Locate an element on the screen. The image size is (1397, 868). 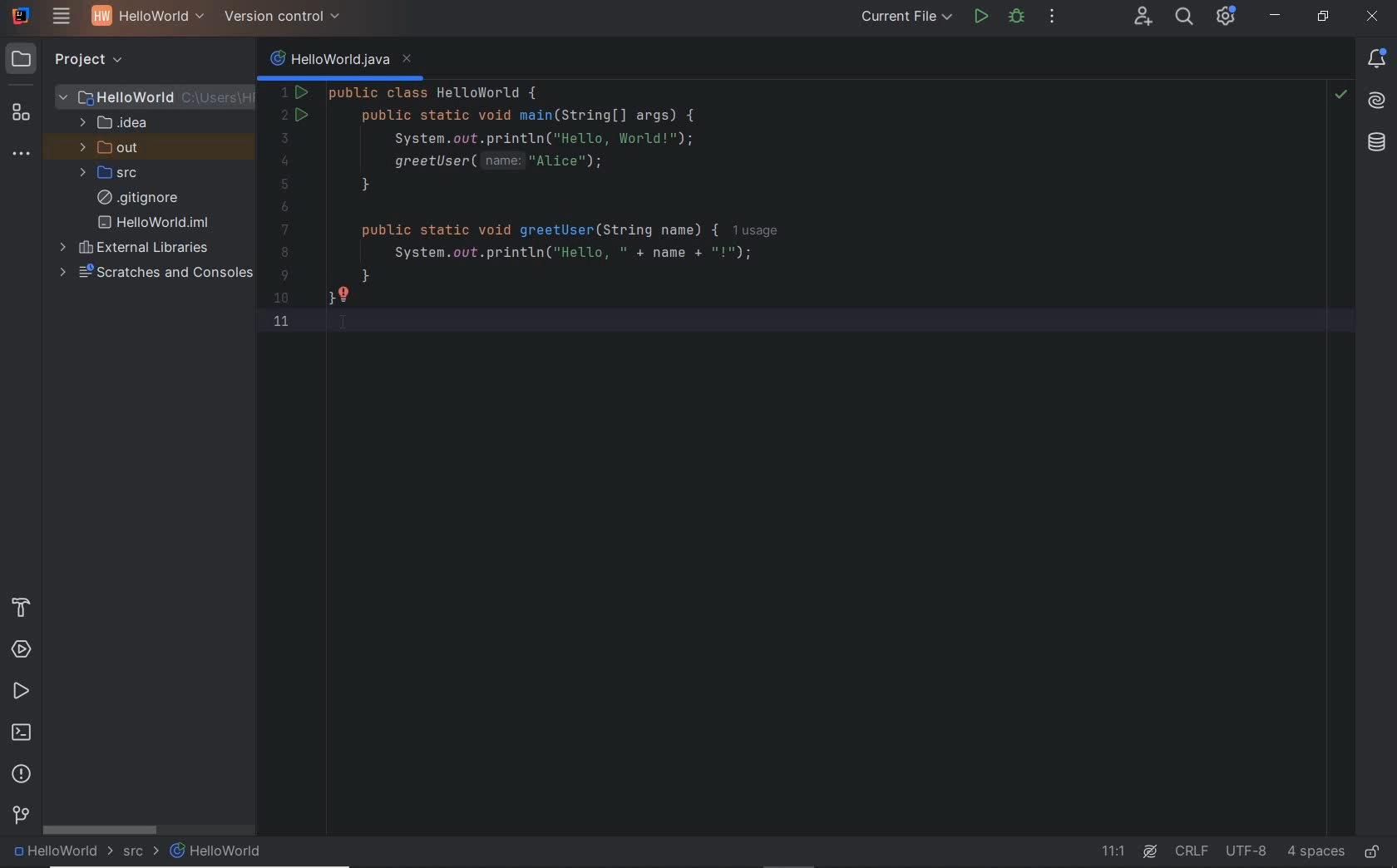
external libraries is located at coordinates (136, 249).